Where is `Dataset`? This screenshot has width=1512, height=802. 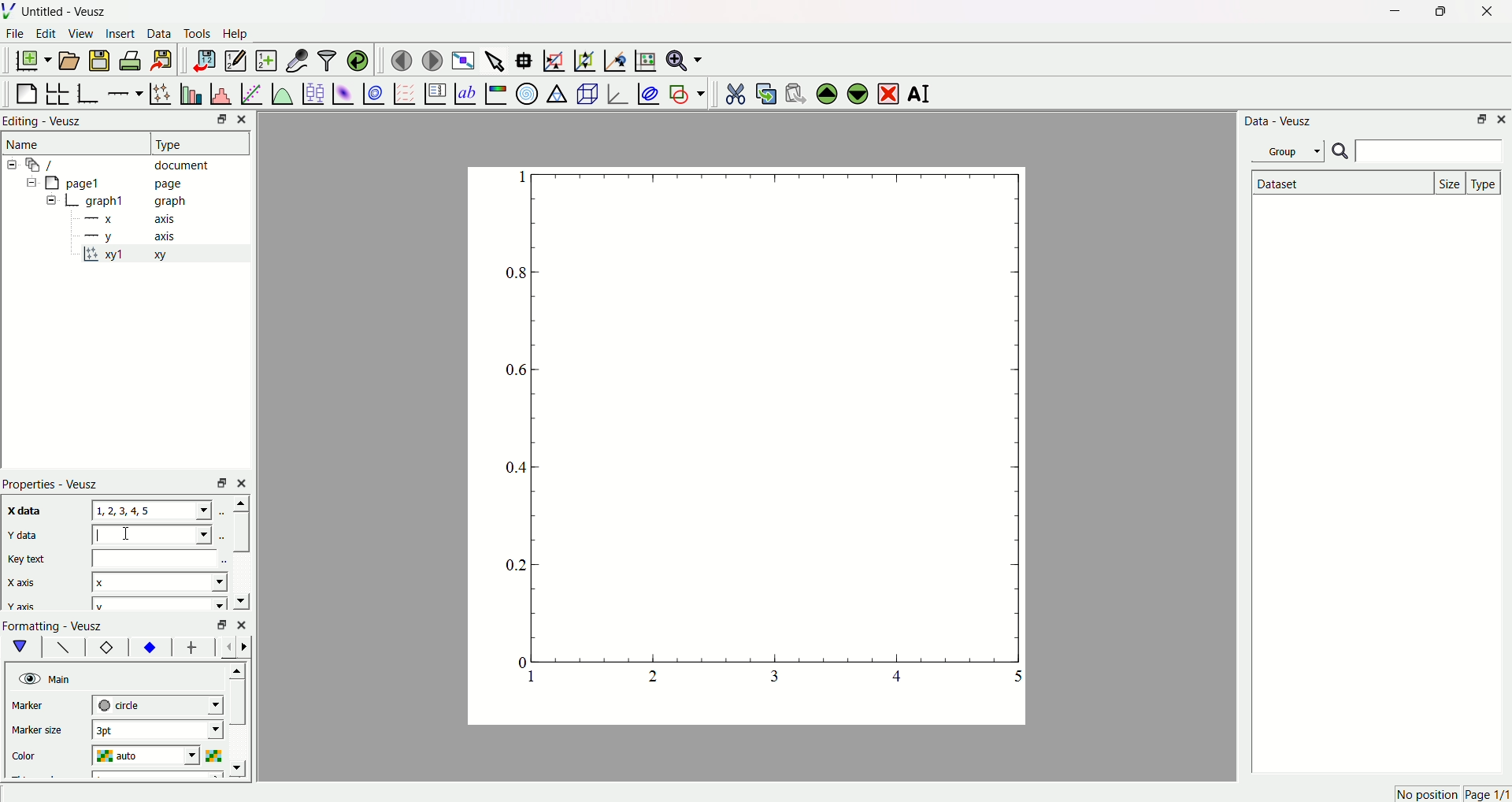
Dataset is located at coordinates (1340, 183).